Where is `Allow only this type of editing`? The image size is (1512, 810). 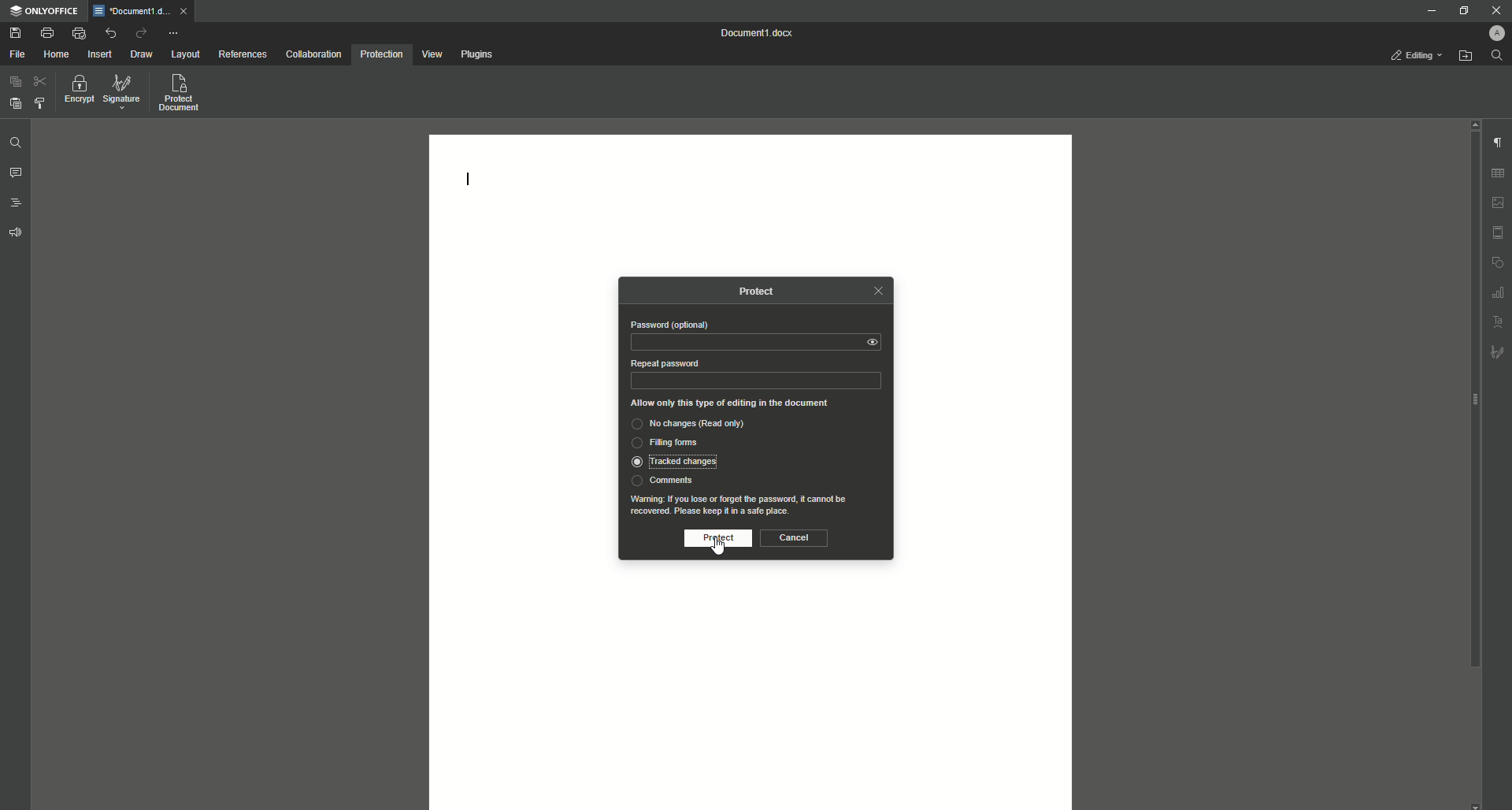 Allow only this type of editing is located at coordinates (728, 403).